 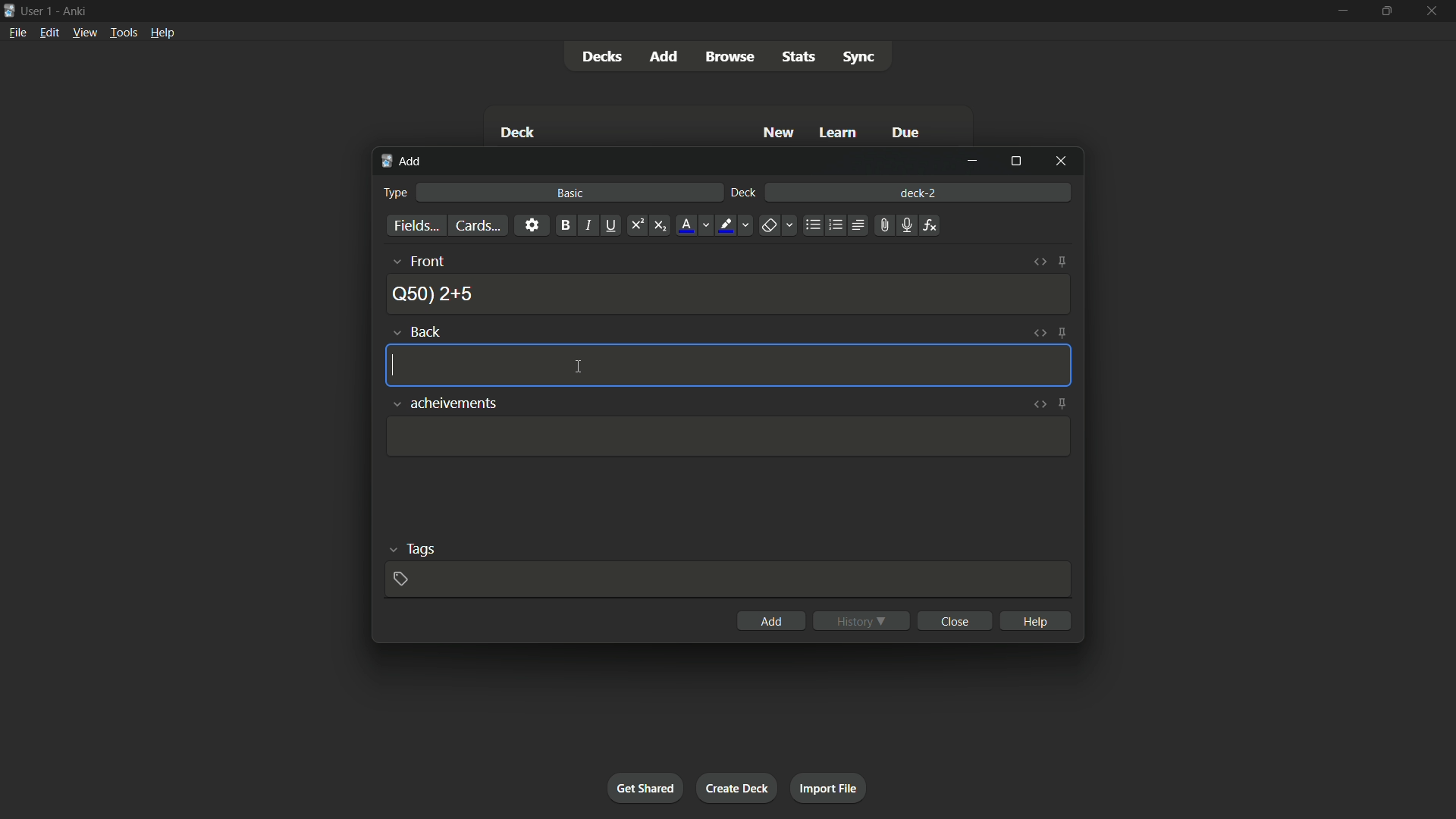 What do you see at coordinates (727, 57) in the screenshot?
I see `browse` at bounding box center [727, 57].